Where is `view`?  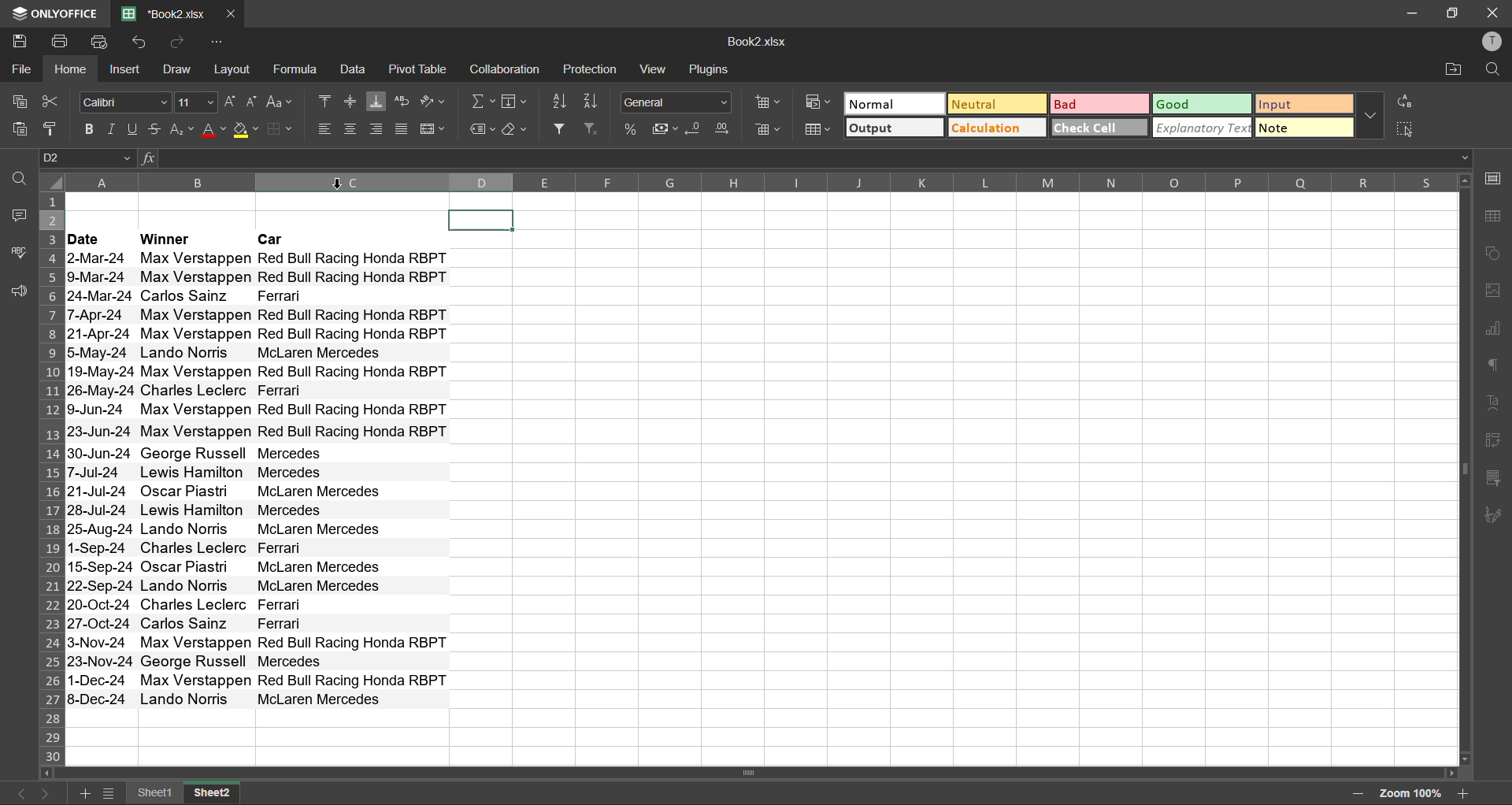 view is located at coordinates (655, 71).